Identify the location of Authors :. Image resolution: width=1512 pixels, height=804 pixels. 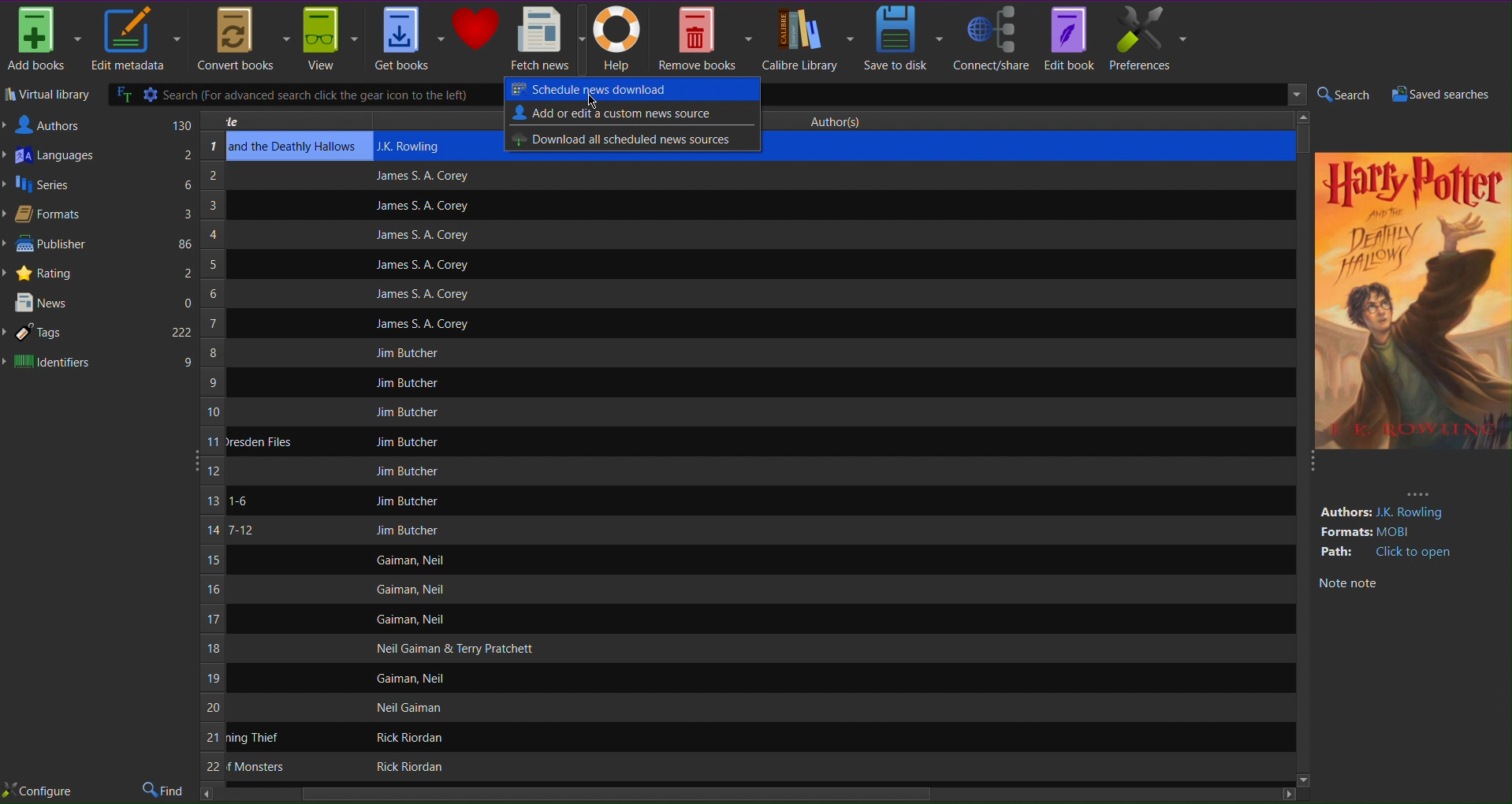
(1344, 512).